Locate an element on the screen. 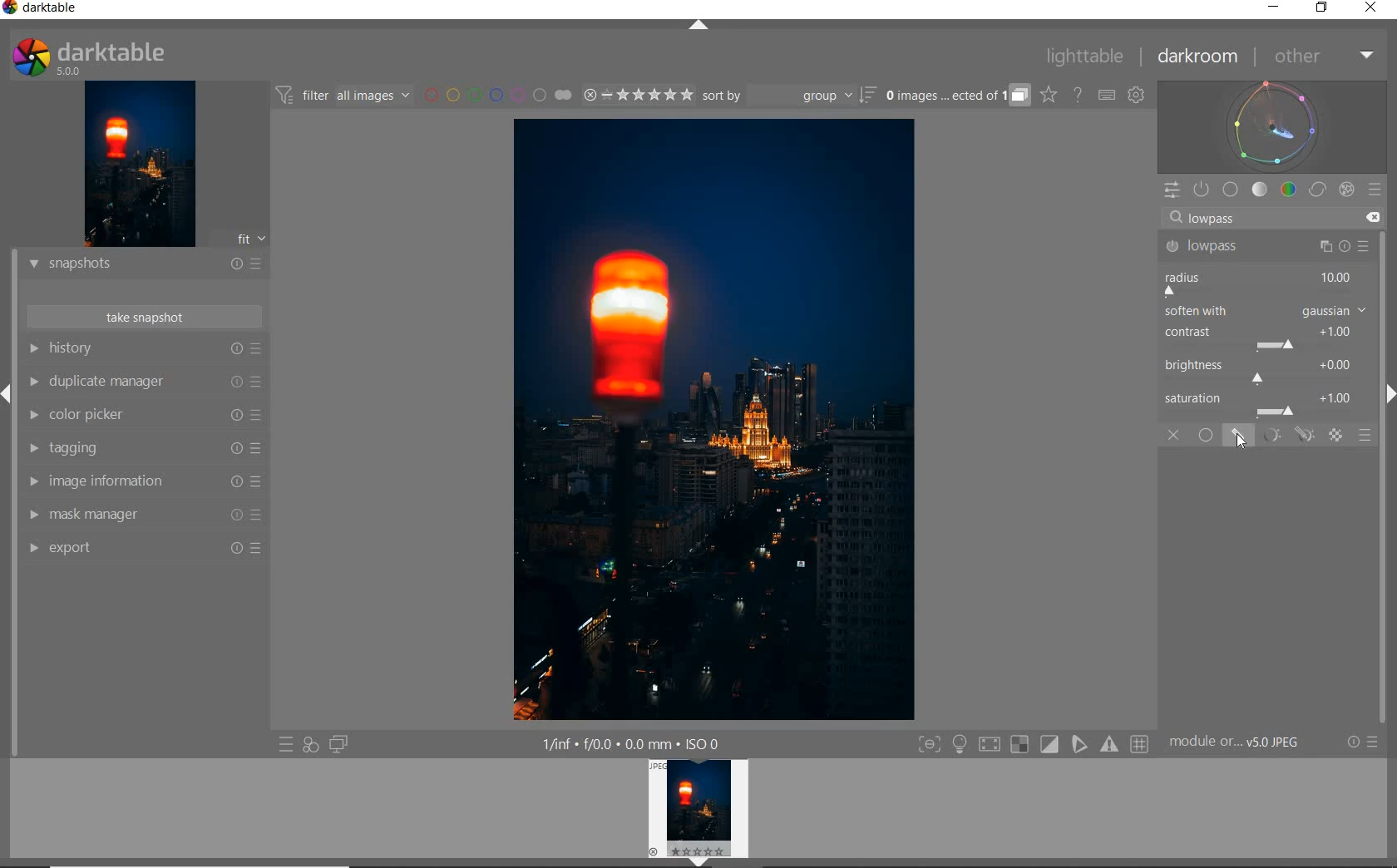 Image resolution: width=1397 pixels, height=868 pixels. SOFTEN WITH is located at coordinates (1266, 312).